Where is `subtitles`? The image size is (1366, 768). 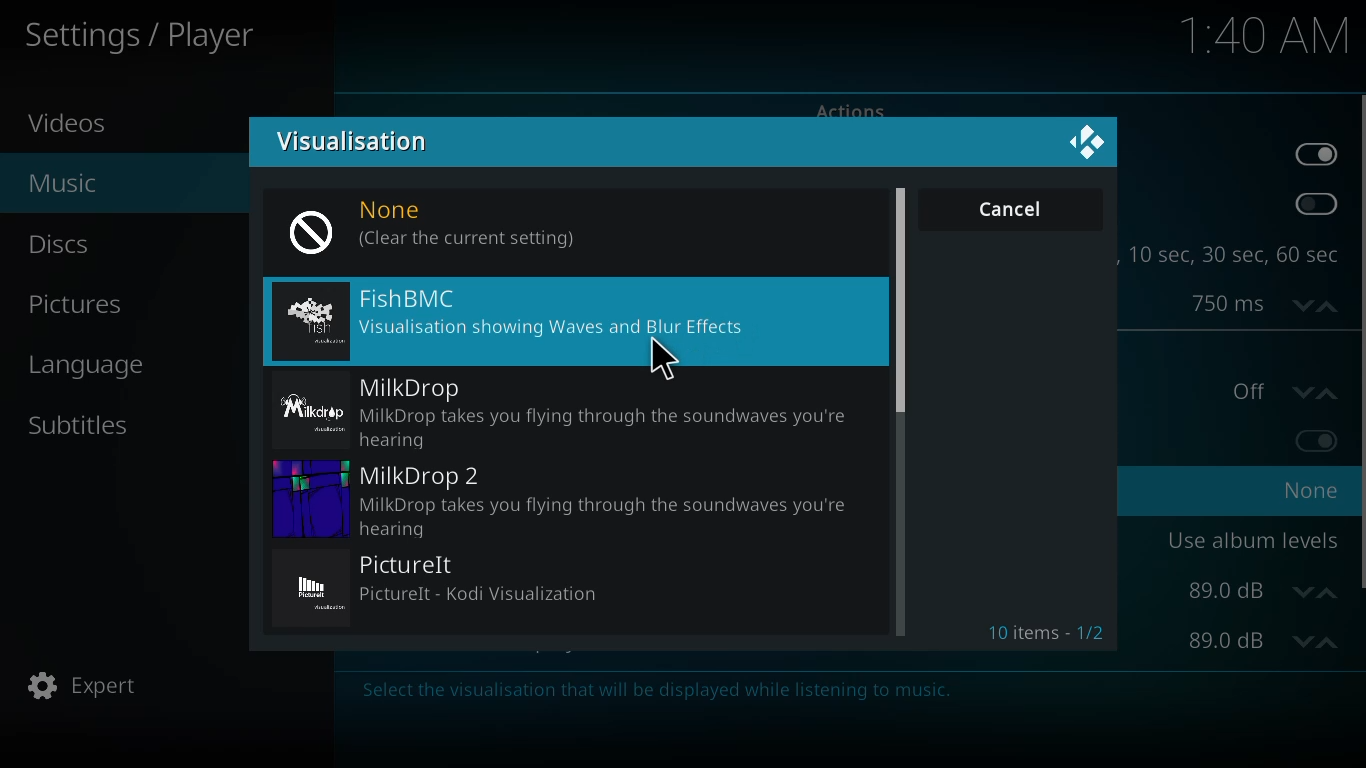
subtitles is located at coordinates (78, 423).